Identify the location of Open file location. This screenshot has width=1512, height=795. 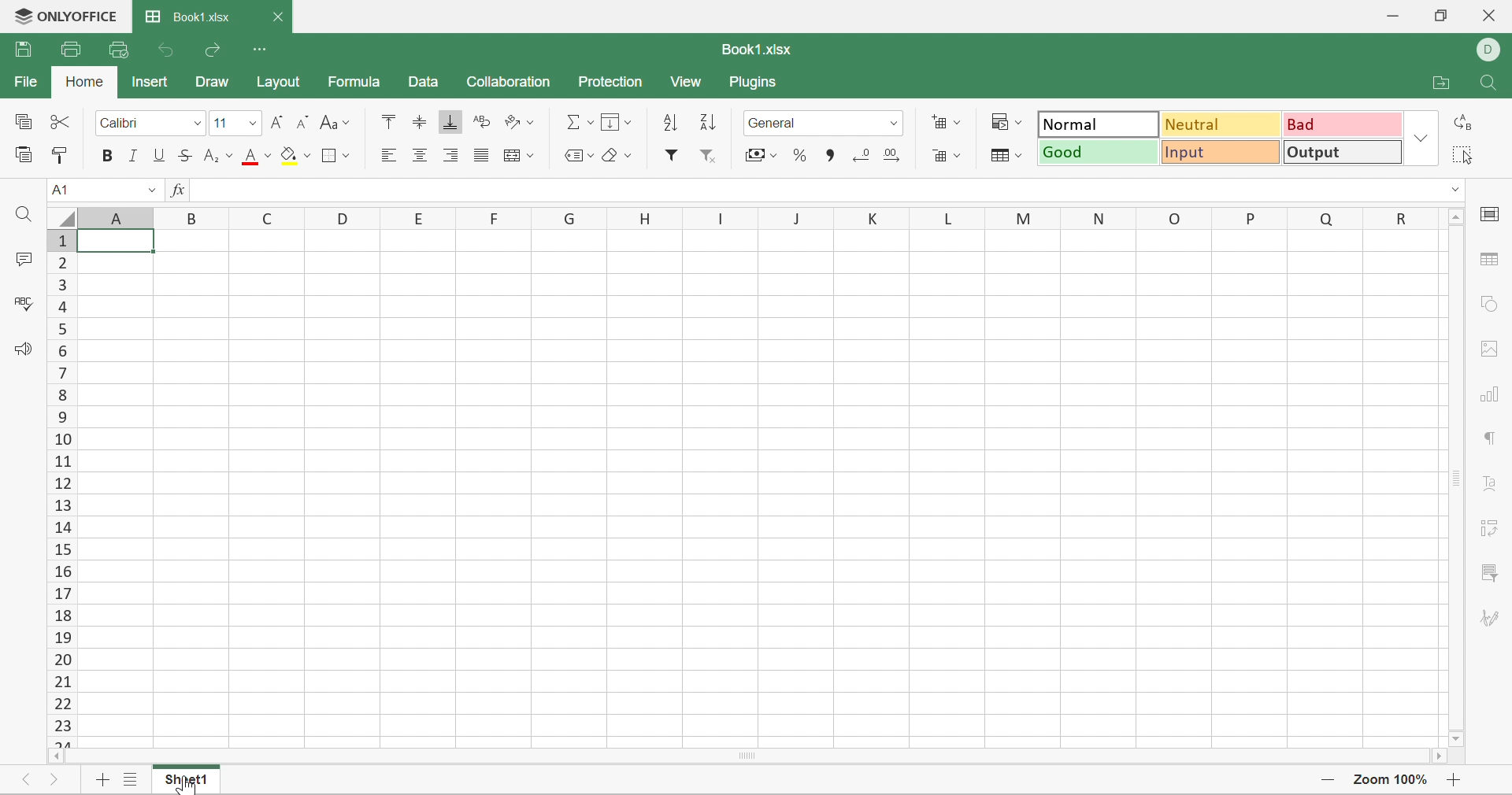
(1440, 83).